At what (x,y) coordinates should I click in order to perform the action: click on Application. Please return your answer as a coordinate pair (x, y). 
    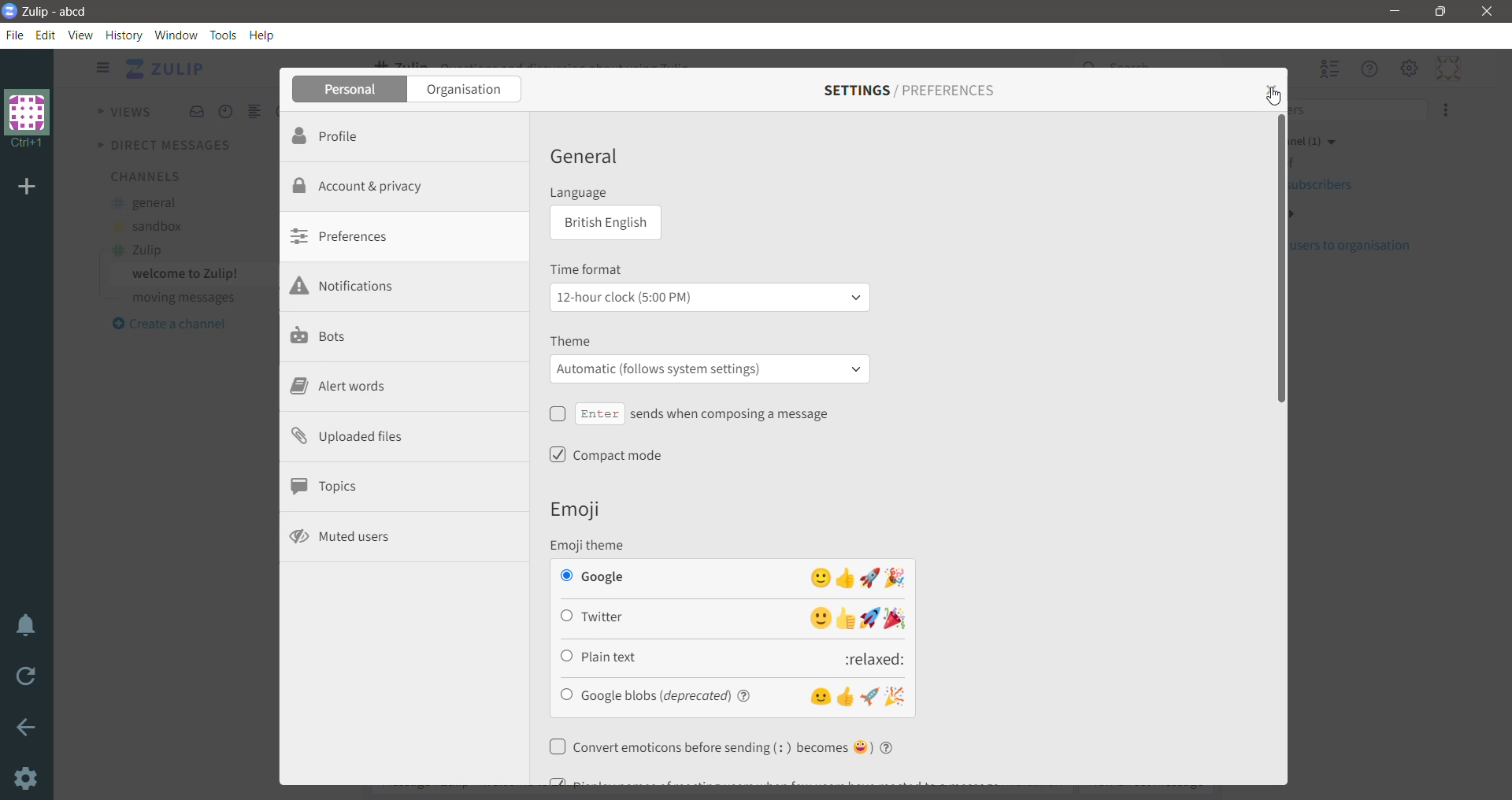
    Looking at the image, I should click on (167, 70).